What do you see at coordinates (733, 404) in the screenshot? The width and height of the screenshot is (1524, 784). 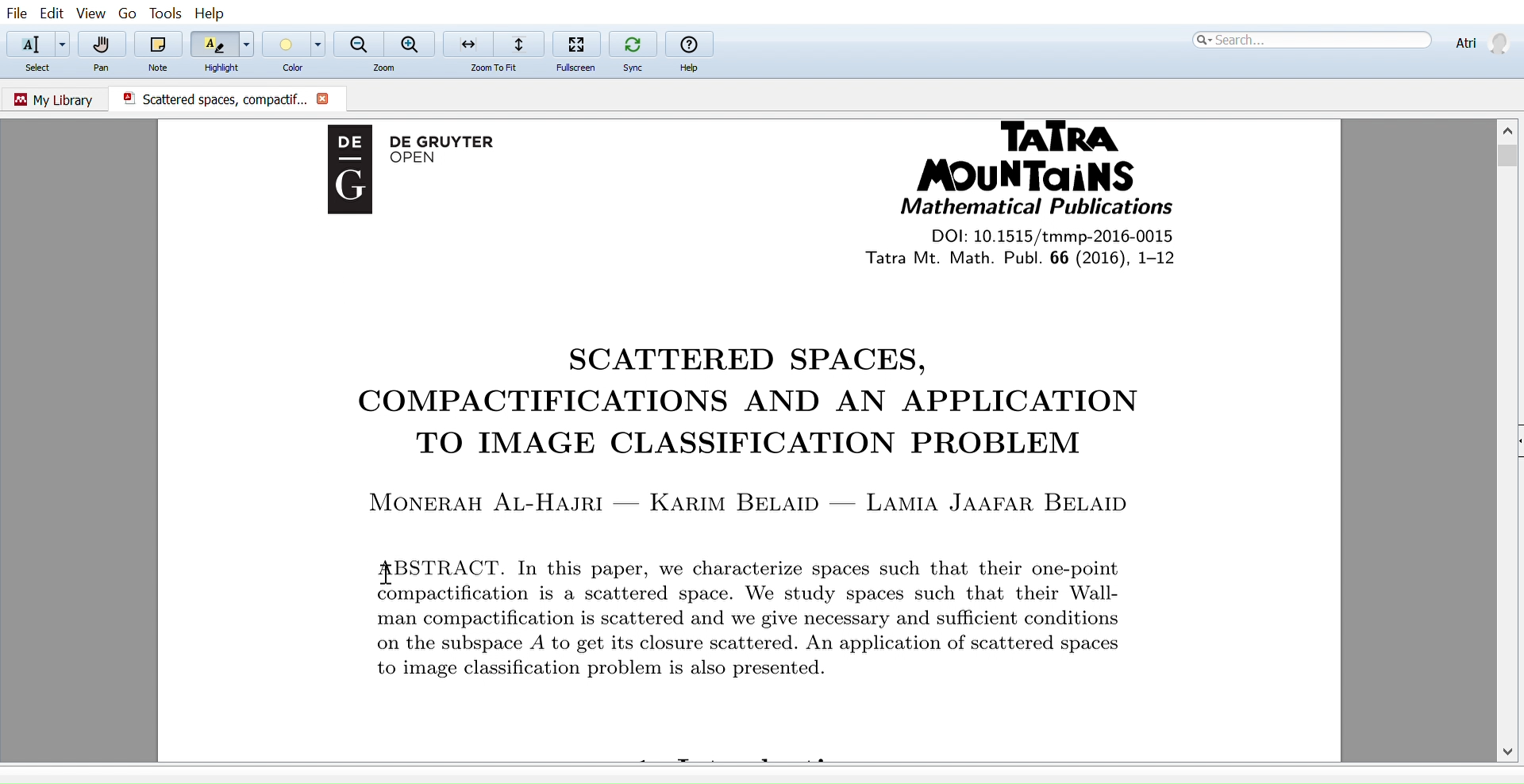 I see `COMPACTIFICATIONS AND AN APPLICATION` at bounding box center [733, 404].